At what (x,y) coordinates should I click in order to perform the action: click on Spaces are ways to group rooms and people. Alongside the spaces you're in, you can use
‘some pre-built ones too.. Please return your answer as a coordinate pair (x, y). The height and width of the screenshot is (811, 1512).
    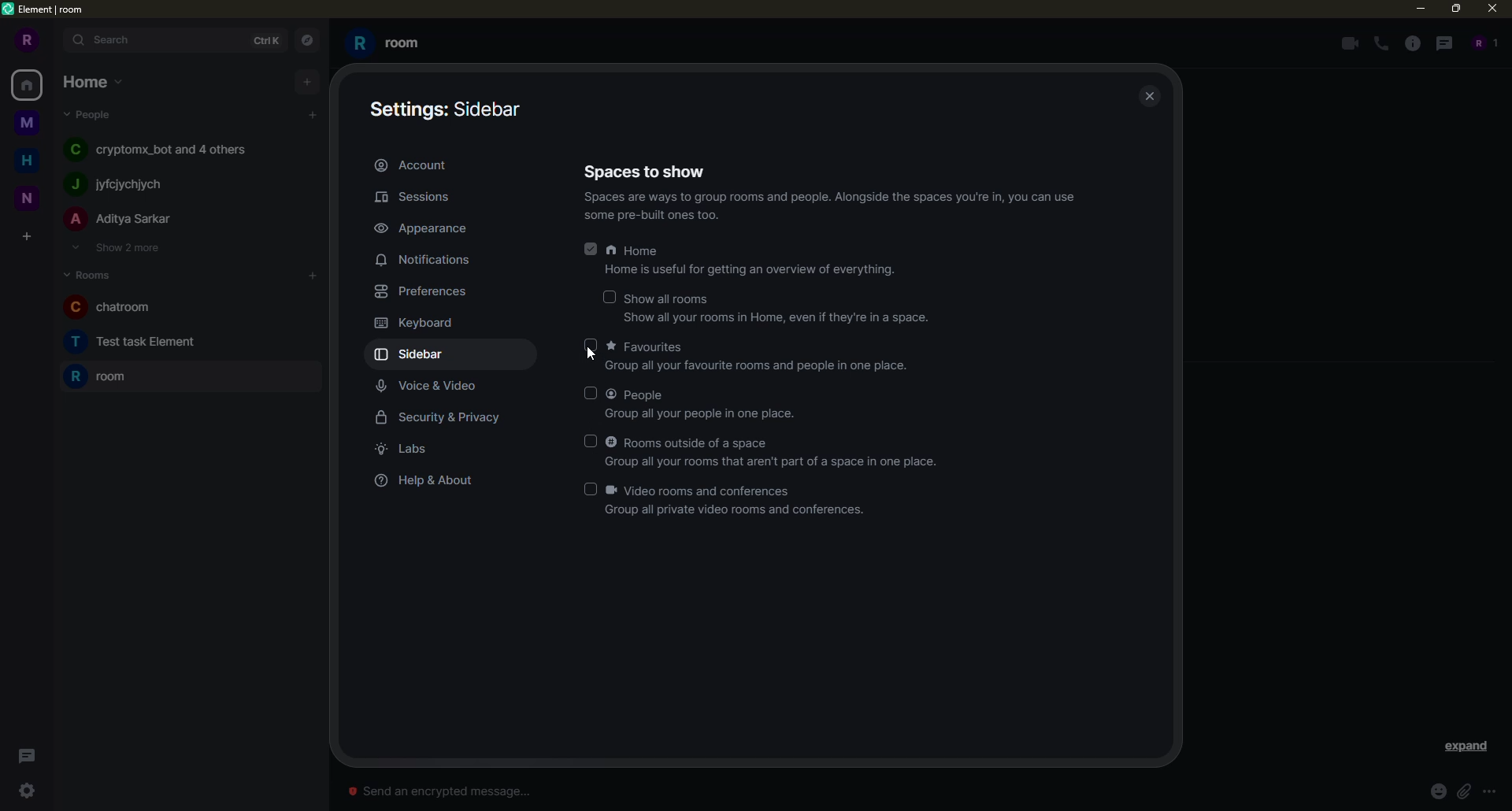
    Looking at the image, I should click on (823, 210).